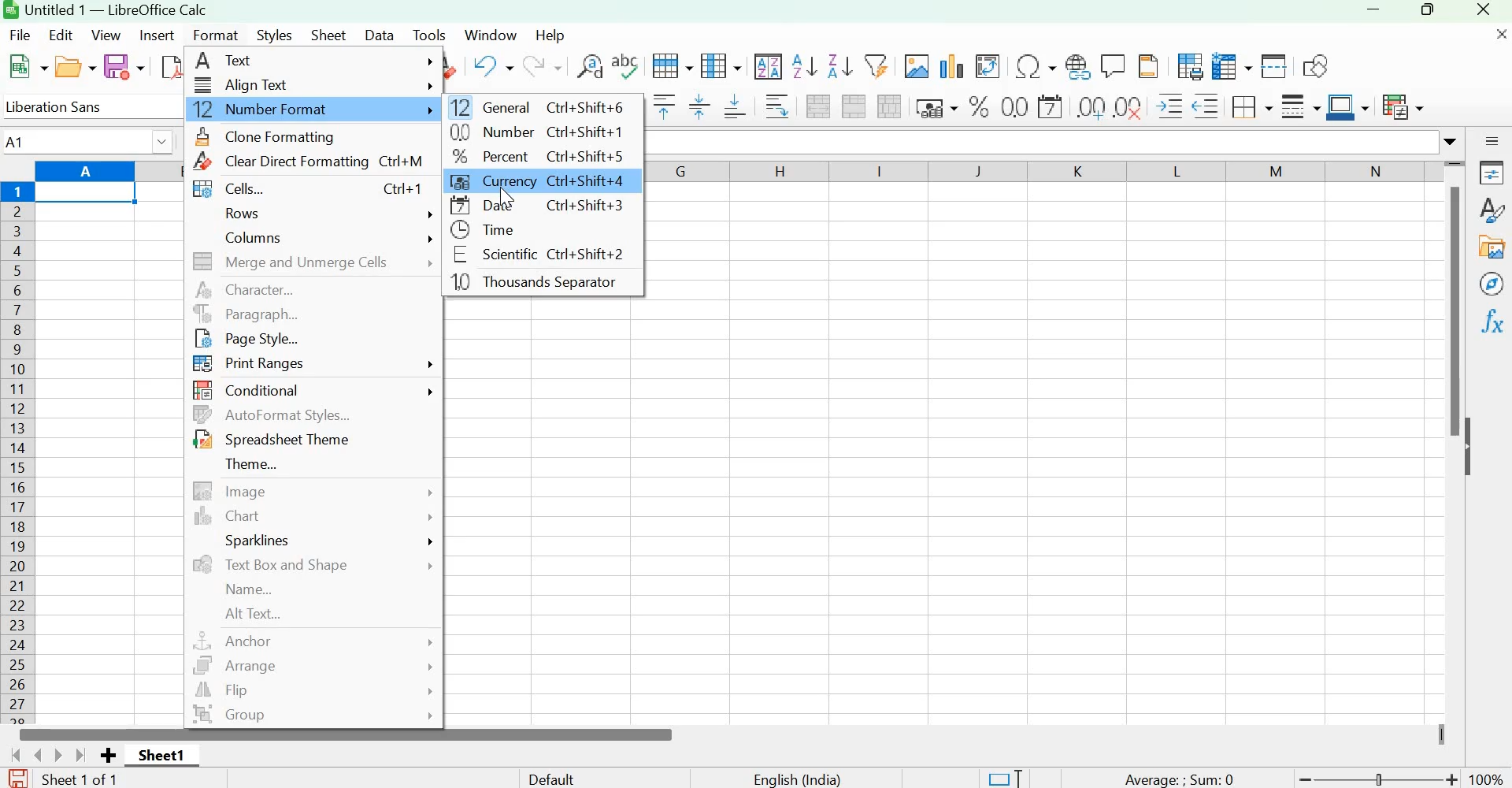 Image resolution: width=1512 pixels, height=788 pixels. I want to click on Character, so click(315, 292).